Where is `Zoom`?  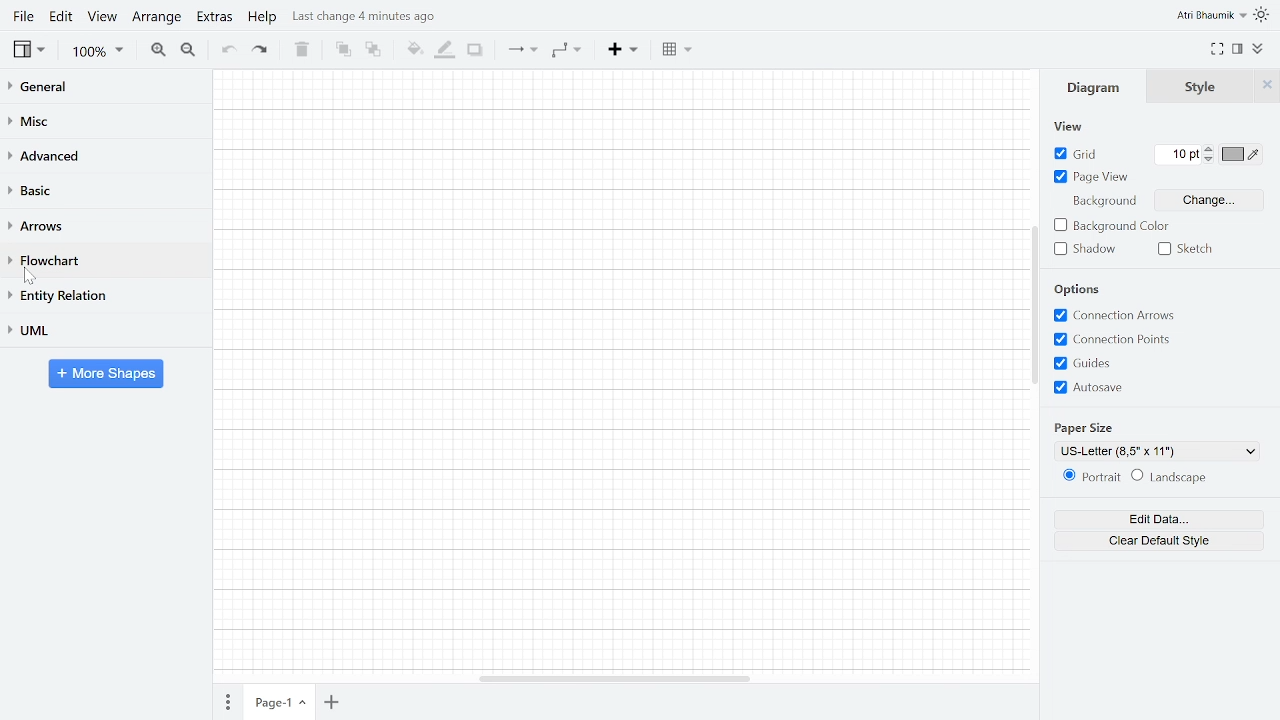
Zoom is located at coordinates (96, 52).